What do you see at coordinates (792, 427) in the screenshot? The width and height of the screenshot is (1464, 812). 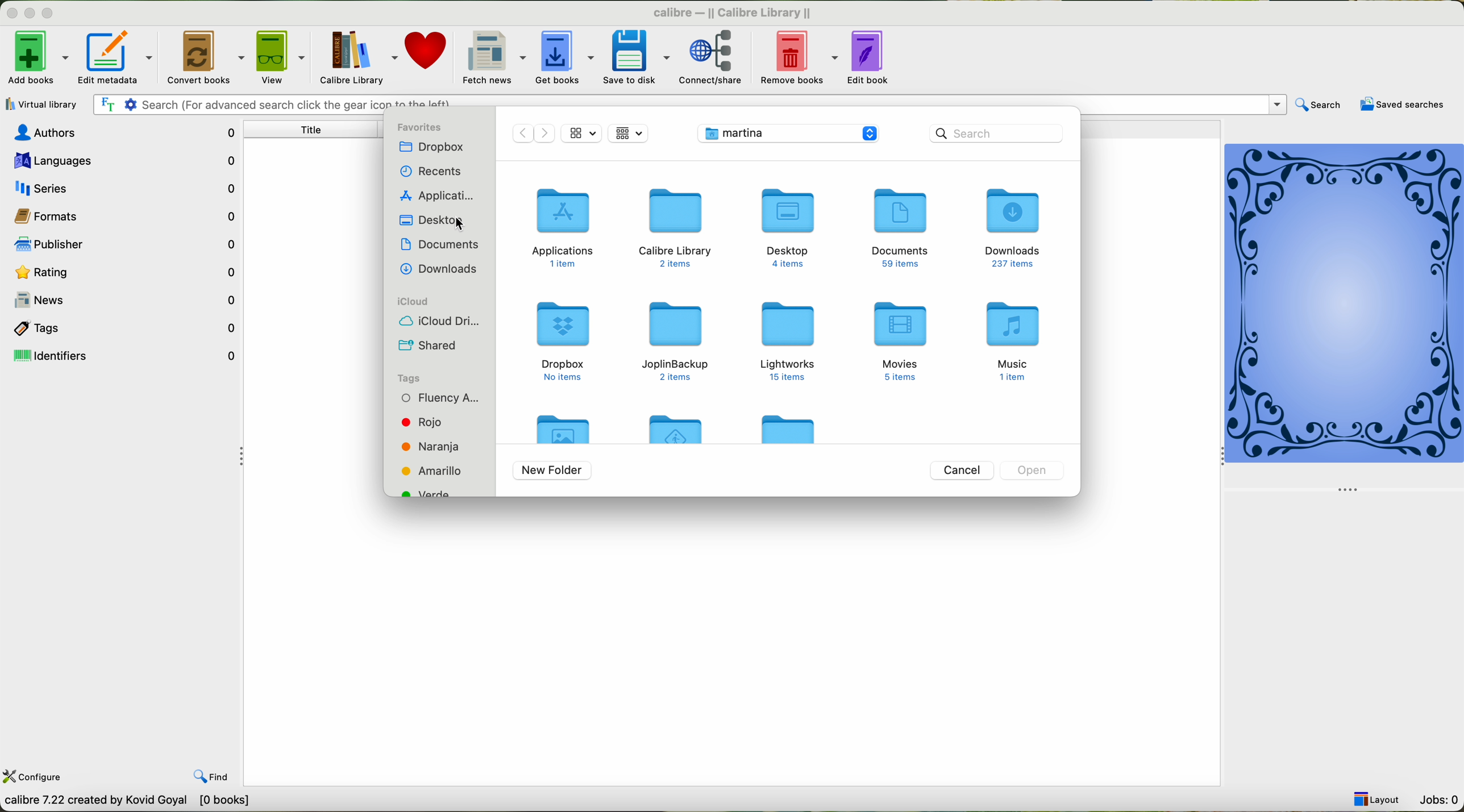 I see `folder` at bounding box center [792, 427].